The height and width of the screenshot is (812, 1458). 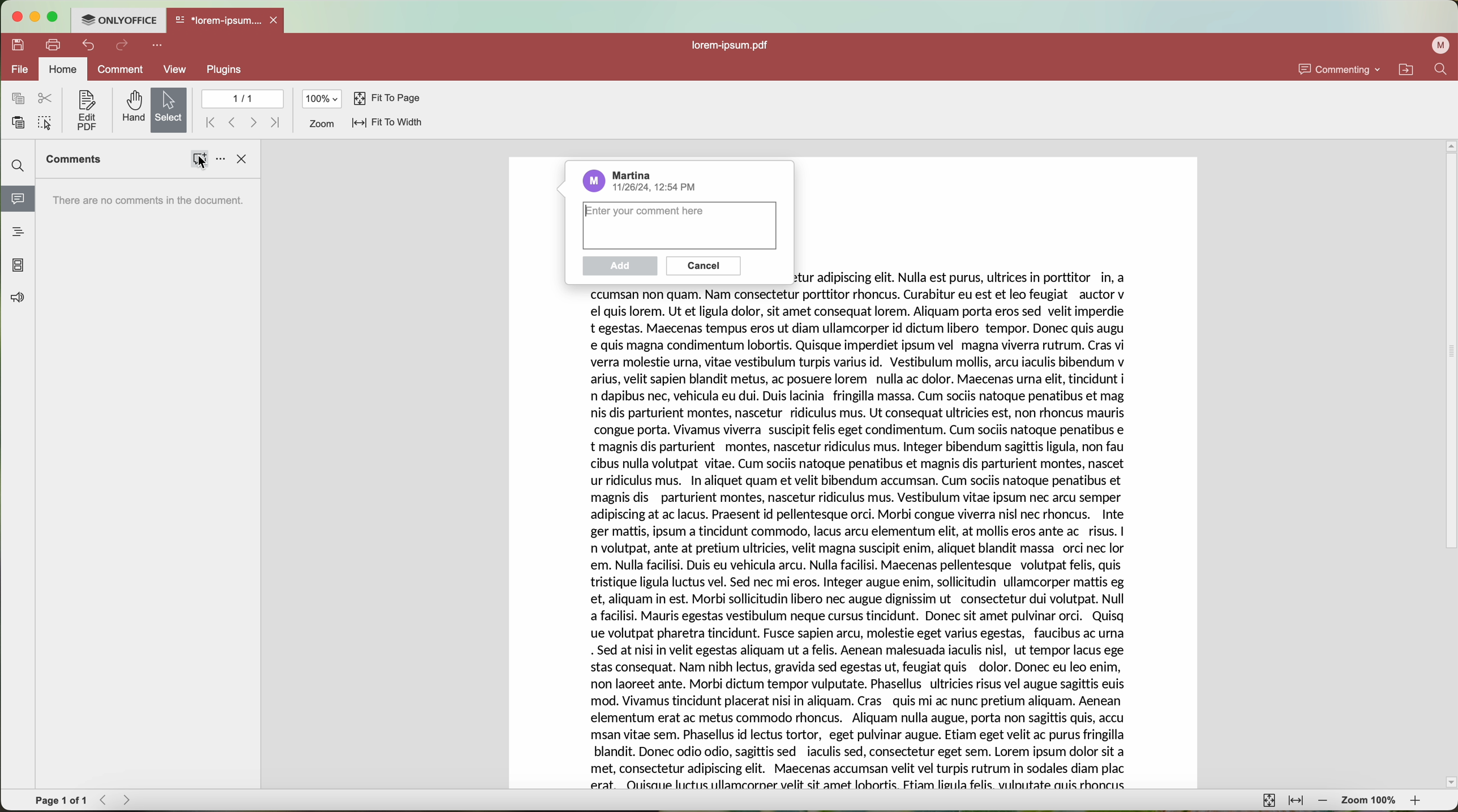 What do you see at coordinates (158, 46) in the screenshot?
I see `more options` at bounding box center [158, 46].